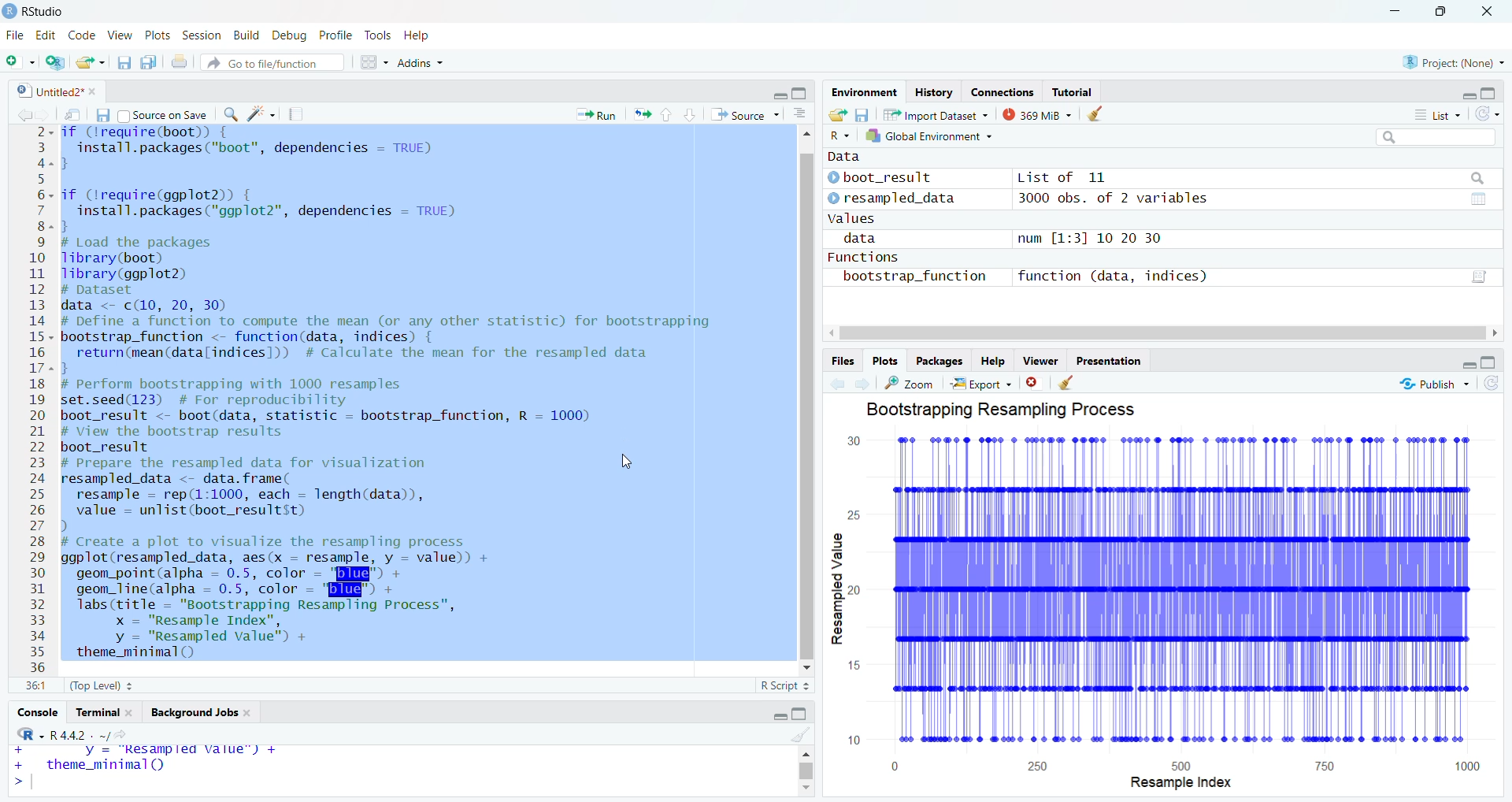  I want to click on Resample value, so click(835, 592).